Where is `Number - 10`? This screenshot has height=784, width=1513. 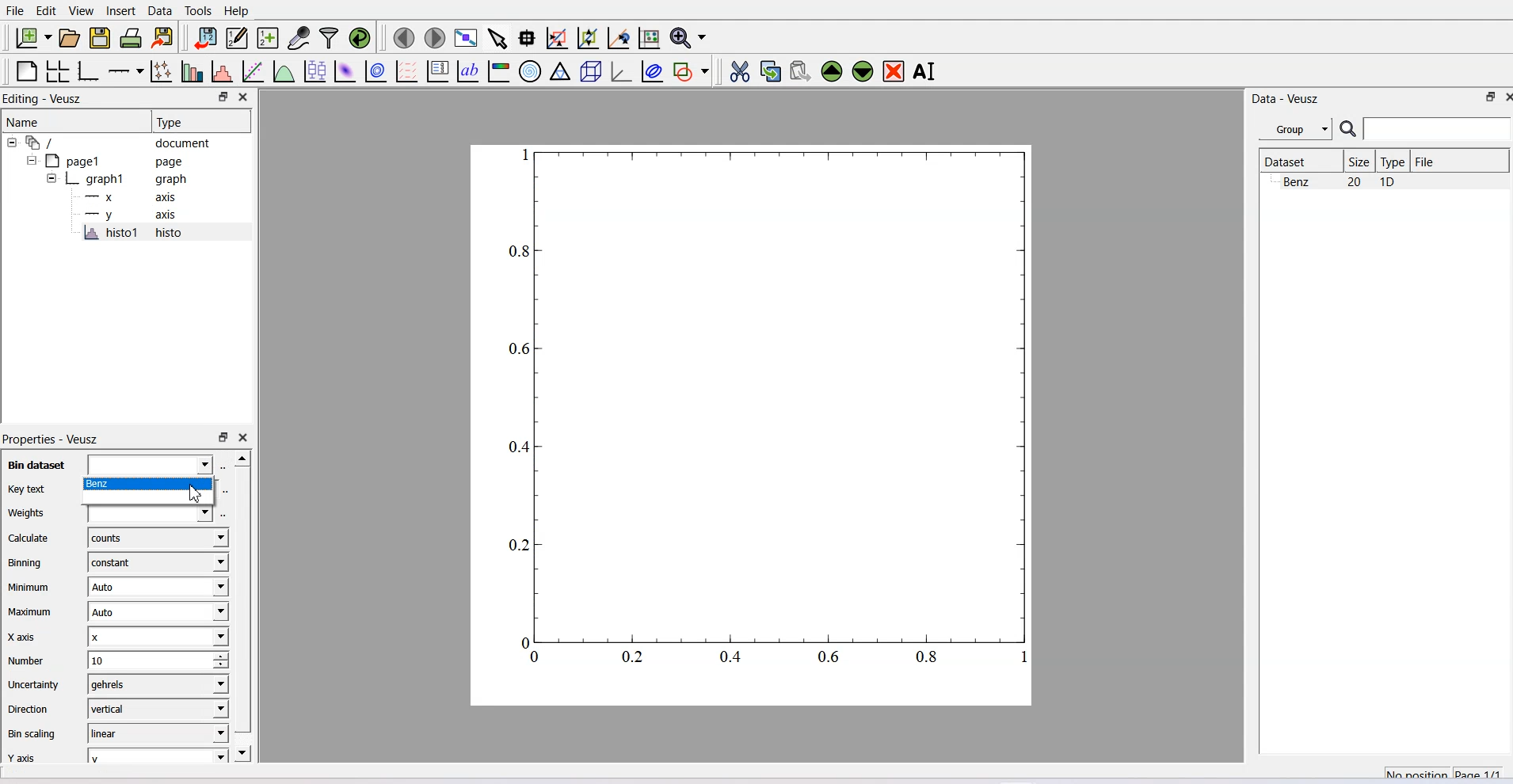
Number - 10 is located at coordinates (115, 659).